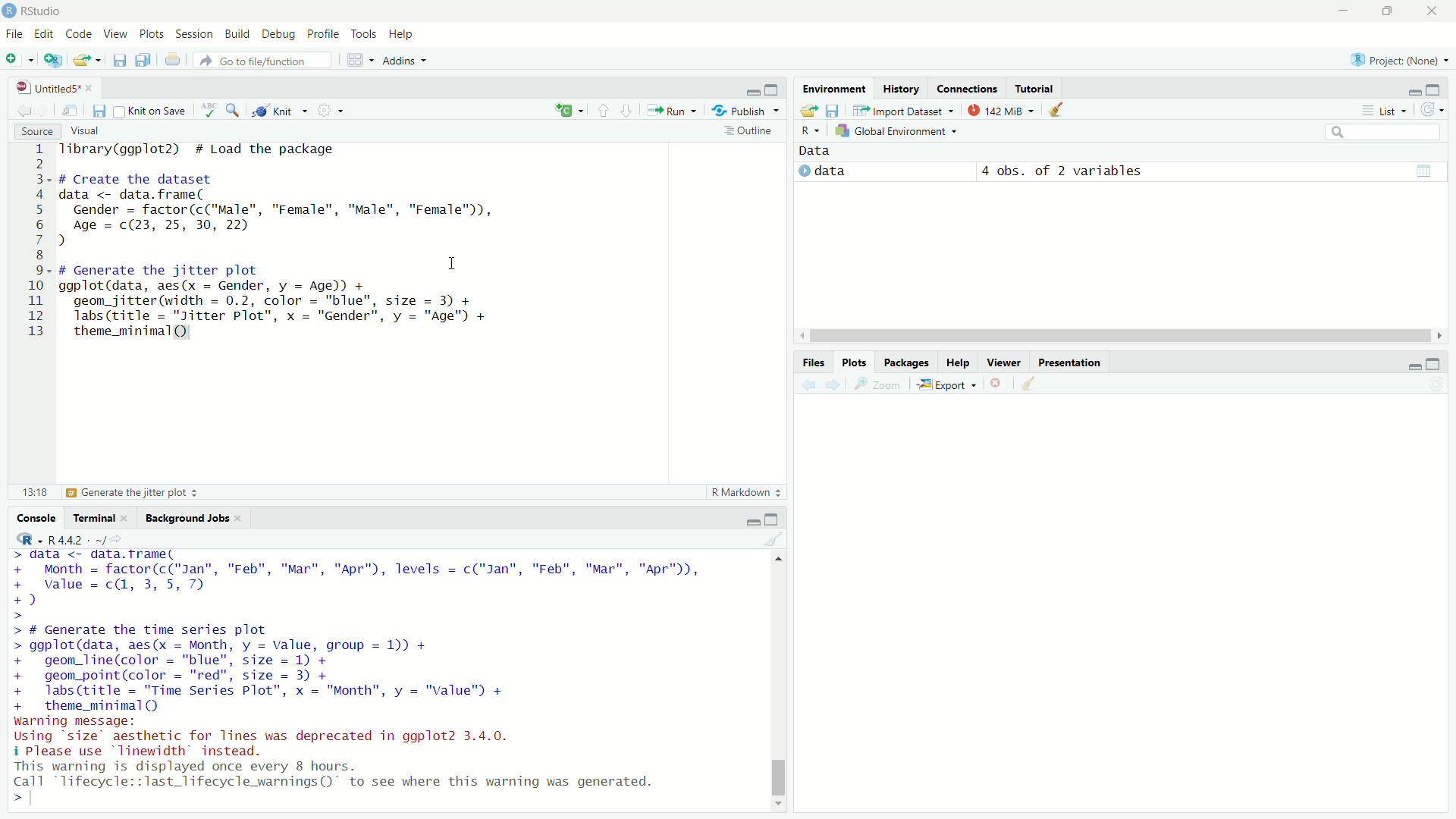 Image resolution: width=1456 pixels, height=819 pixels. I want to click on knit, so click(281, 111).